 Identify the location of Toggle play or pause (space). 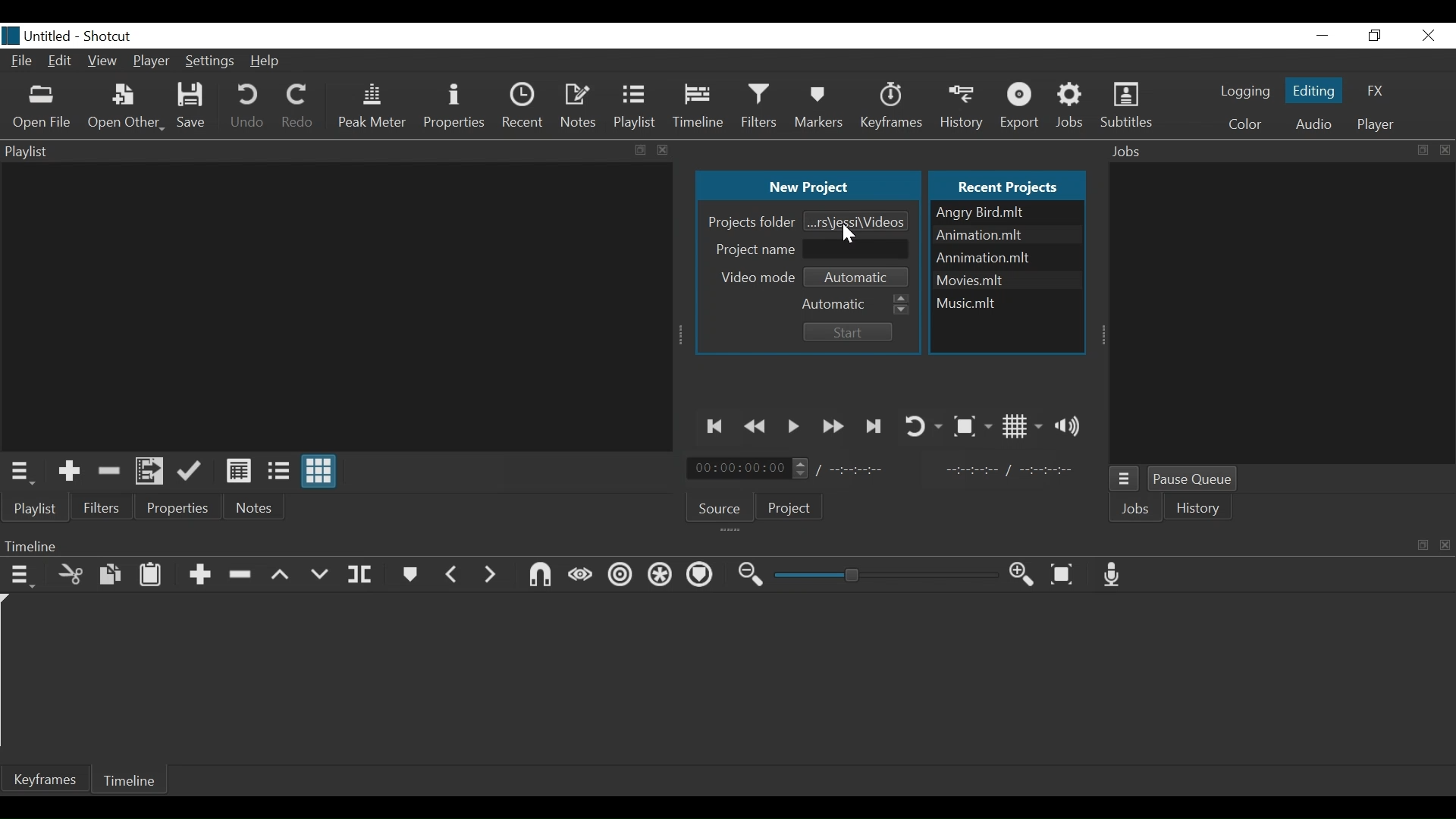
(794, 427).